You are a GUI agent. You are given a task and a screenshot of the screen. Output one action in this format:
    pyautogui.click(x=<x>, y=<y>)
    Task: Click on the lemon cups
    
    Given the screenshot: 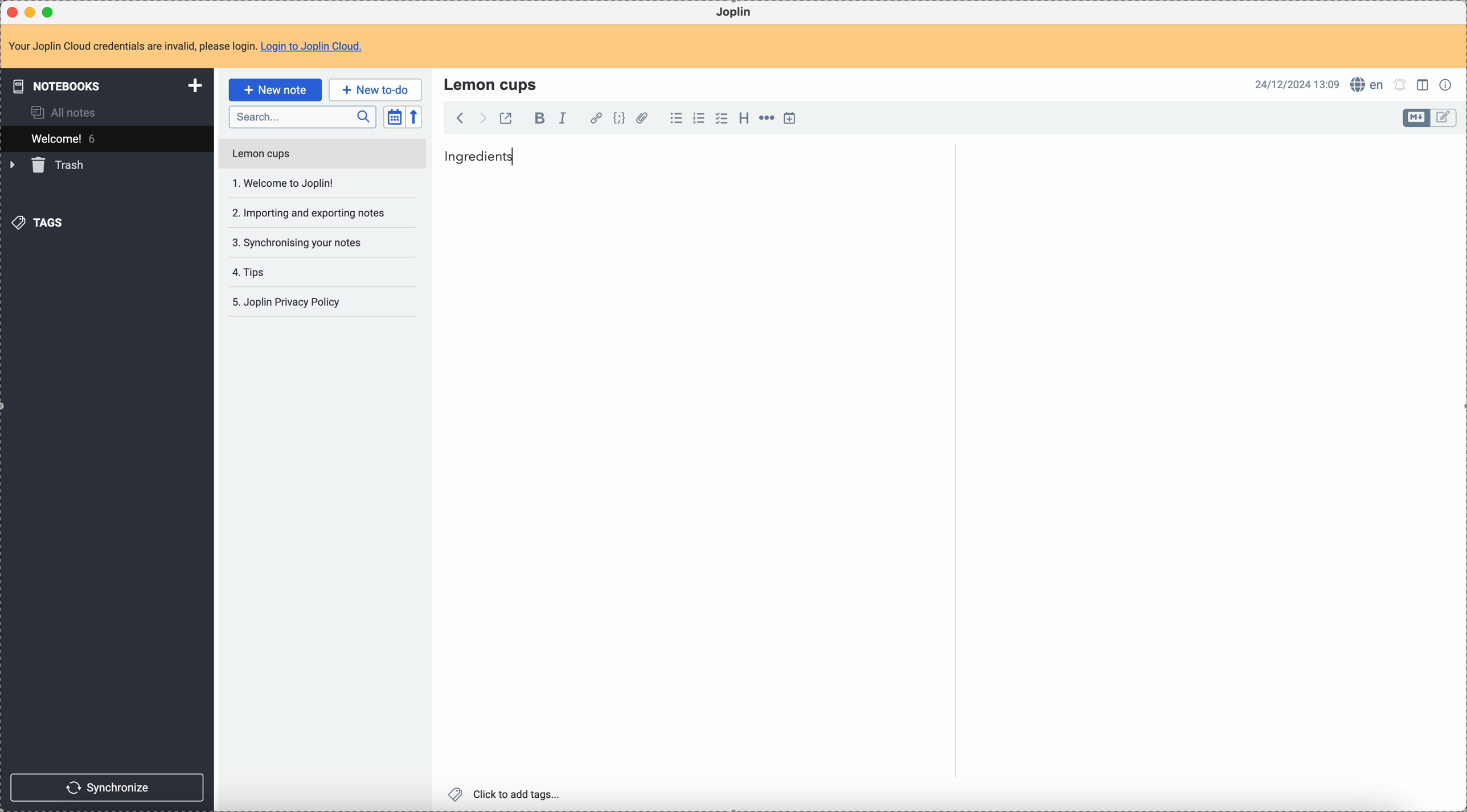 What is the action you would take?
    pyautogui.click(x=493, y=84)
    